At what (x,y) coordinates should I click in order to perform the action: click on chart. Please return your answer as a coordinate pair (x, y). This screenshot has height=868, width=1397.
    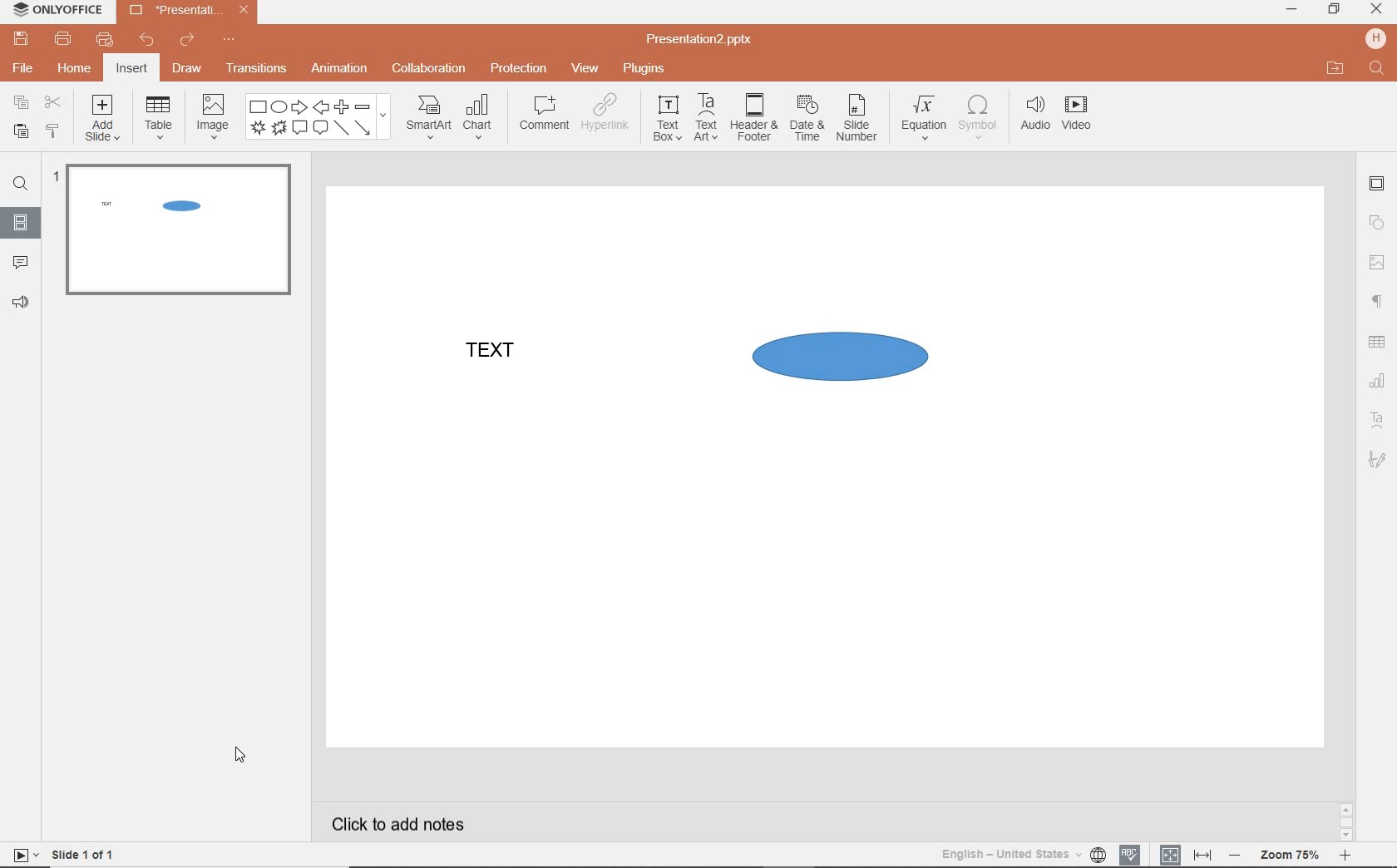
    Looking at the image, I should click on (481, 116).